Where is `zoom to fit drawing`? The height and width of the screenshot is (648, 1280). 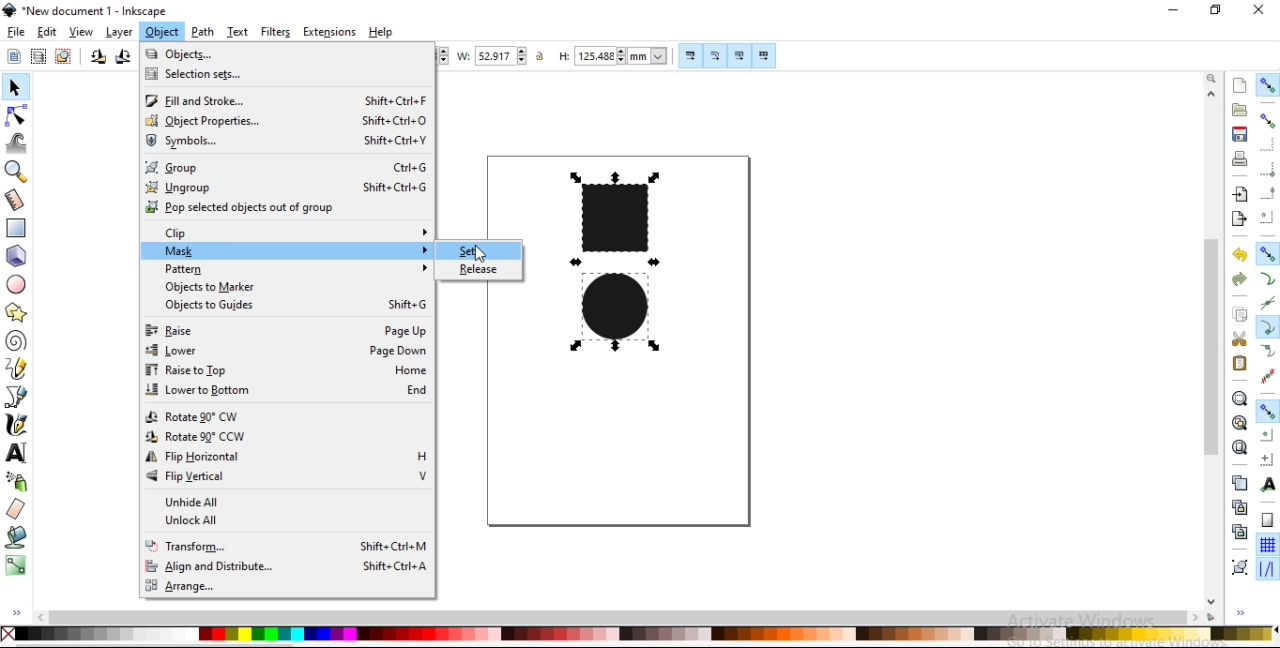 zoom to fit drawing is located at coordinates (1239, 422).